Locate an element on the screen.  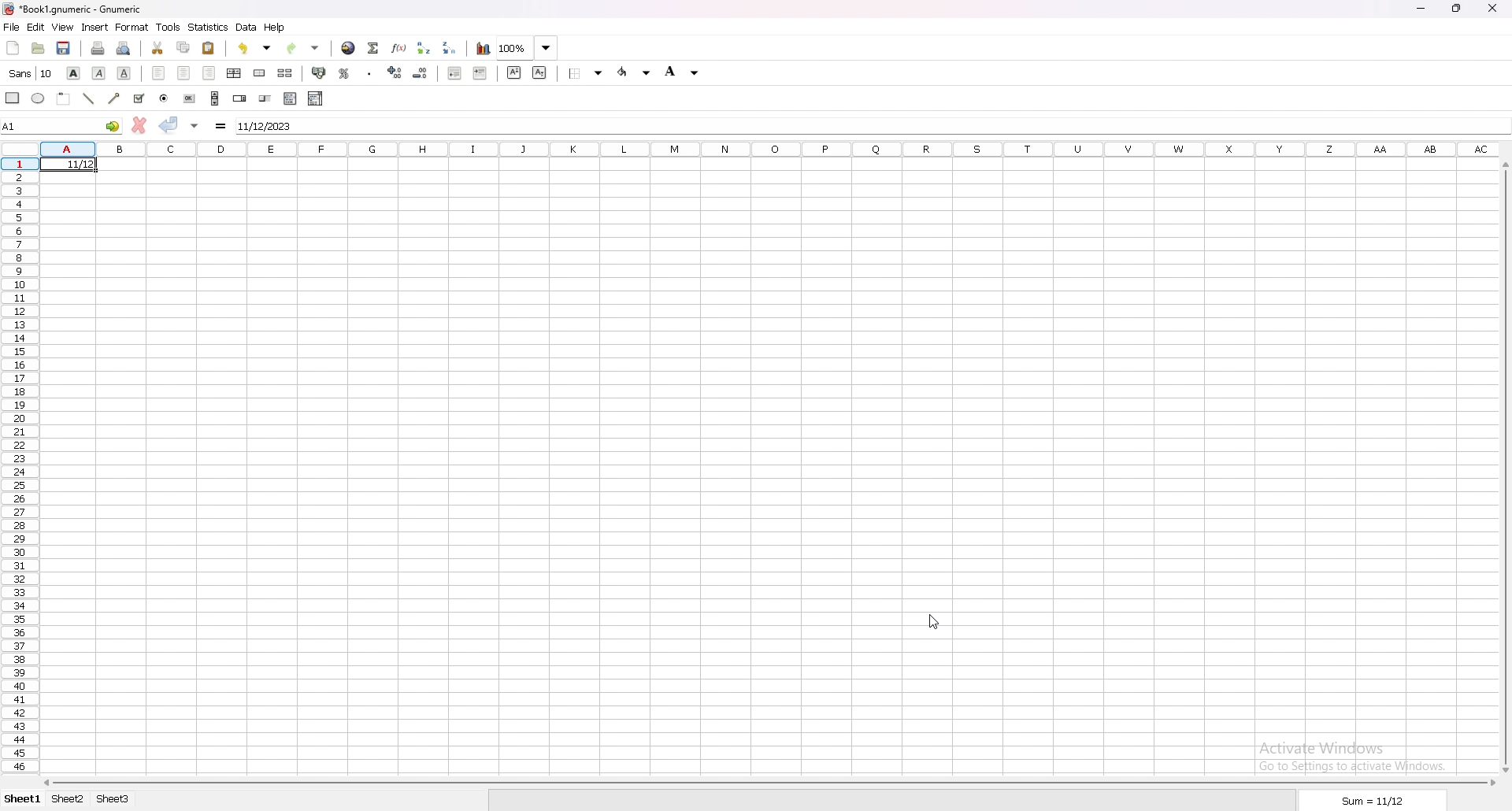
open is located at coordinates (38, 47).